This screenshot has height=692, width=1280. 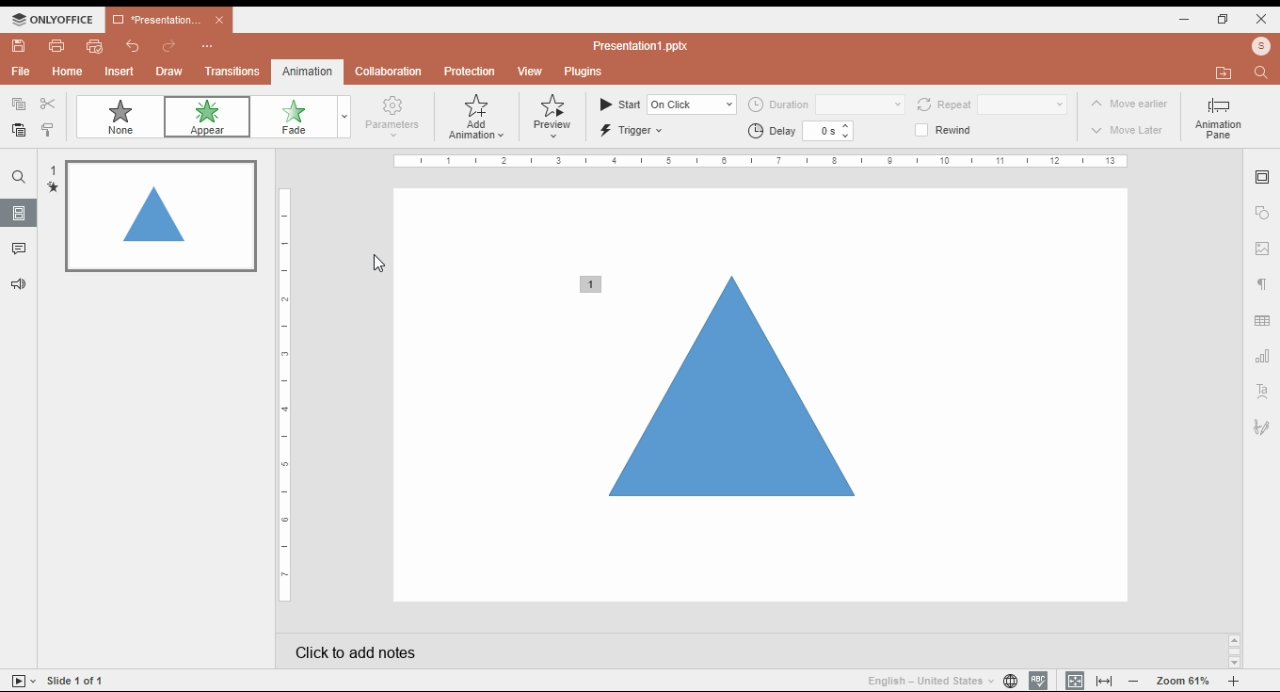 What do you see at coordinates (1263, 354) in the screenshot?
I see `chart setting` at bounding box center [1263, 354].